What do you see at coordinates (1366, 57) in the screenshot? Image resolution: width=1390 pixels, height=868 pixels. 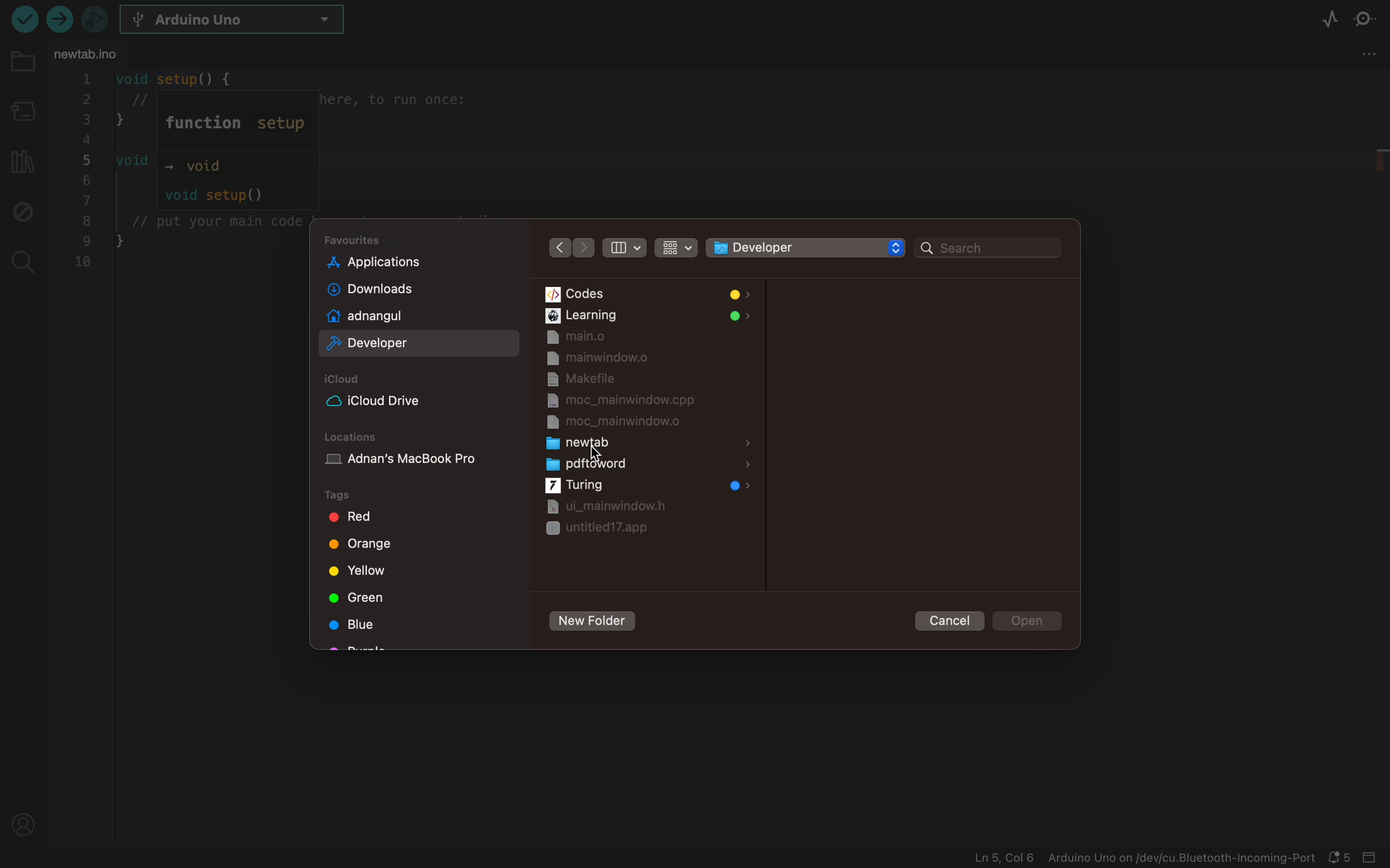 I see `setting` at bounding box center [1366, 57].